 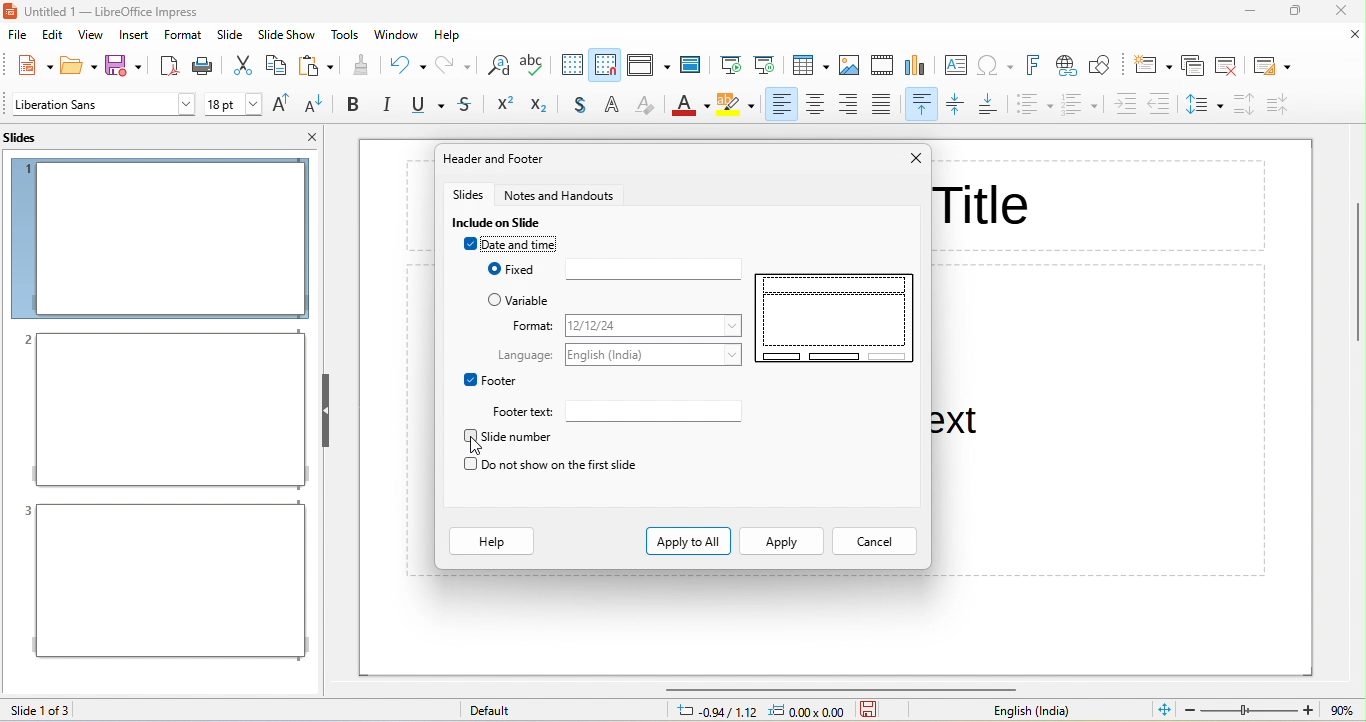 I want to click on font color, so click(x=689, y=108).